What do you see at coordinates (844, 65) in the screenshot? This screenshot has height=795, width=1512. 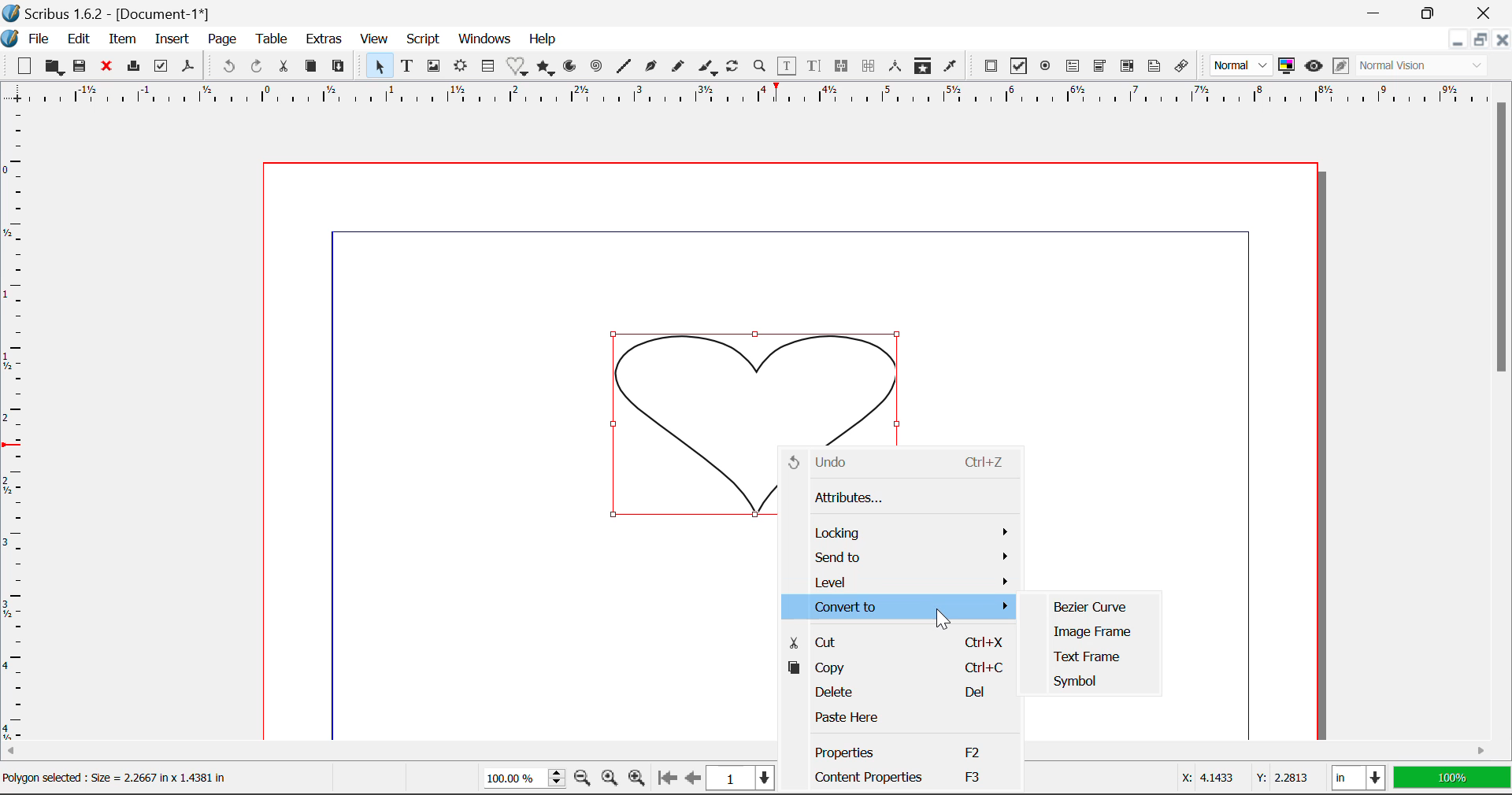 I see `Link Text Frames` at bounding box center [844, 65].